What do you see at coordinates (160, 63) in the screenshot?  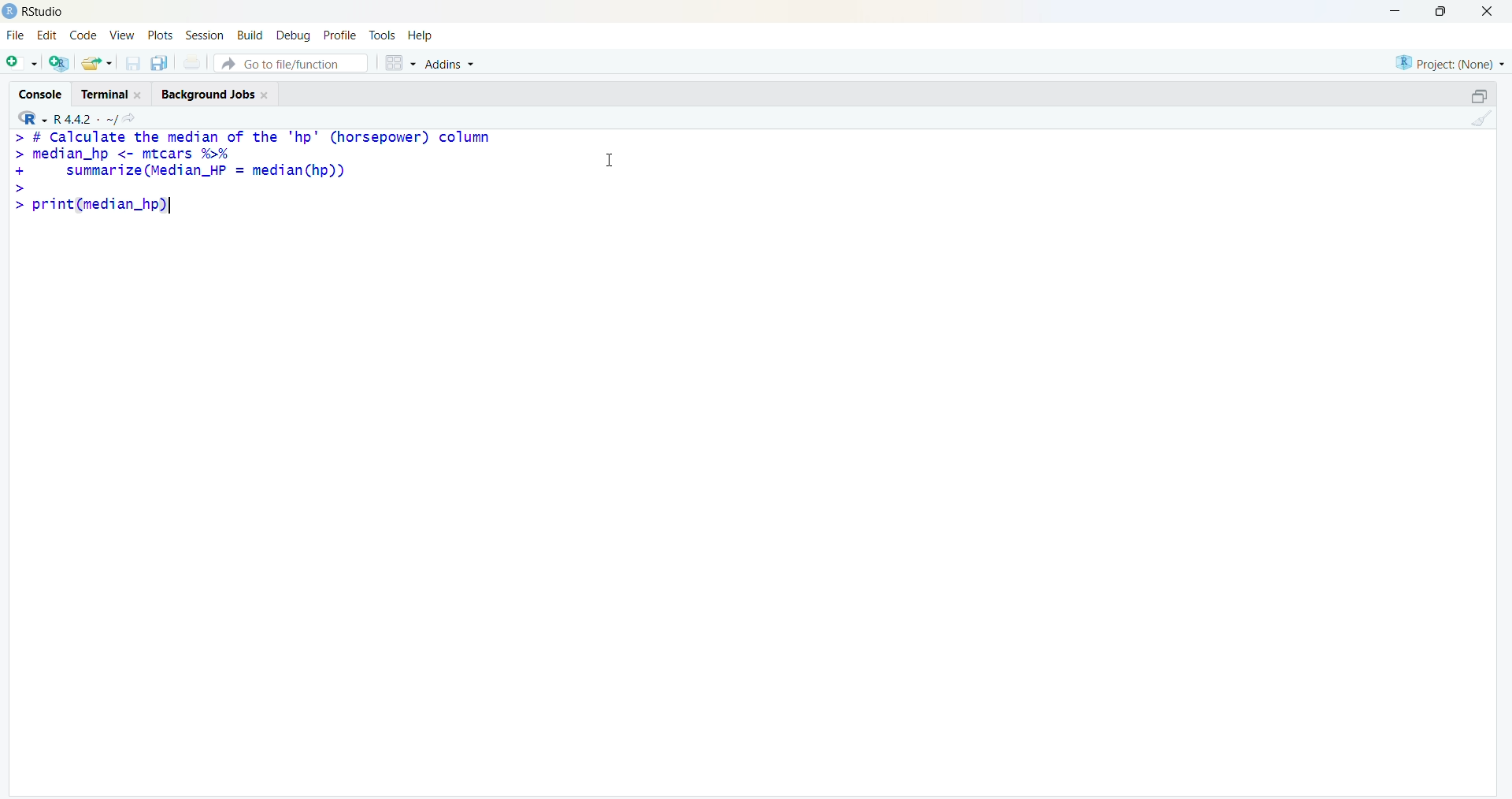 I see `copy` at bounding box center [160, 63].